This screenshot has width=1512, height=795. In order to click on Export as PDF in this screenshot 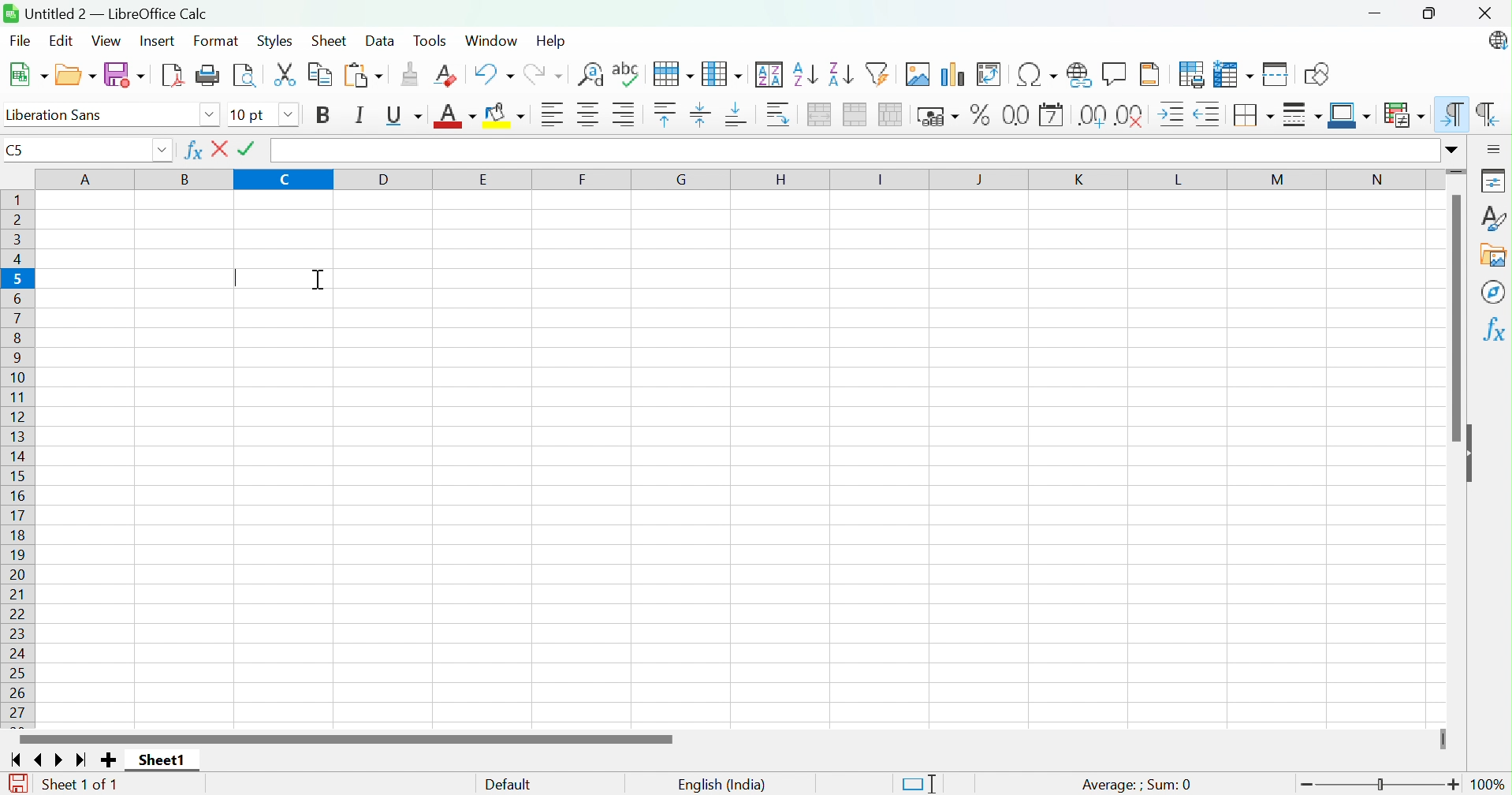, I will do `click(170, 75)`.